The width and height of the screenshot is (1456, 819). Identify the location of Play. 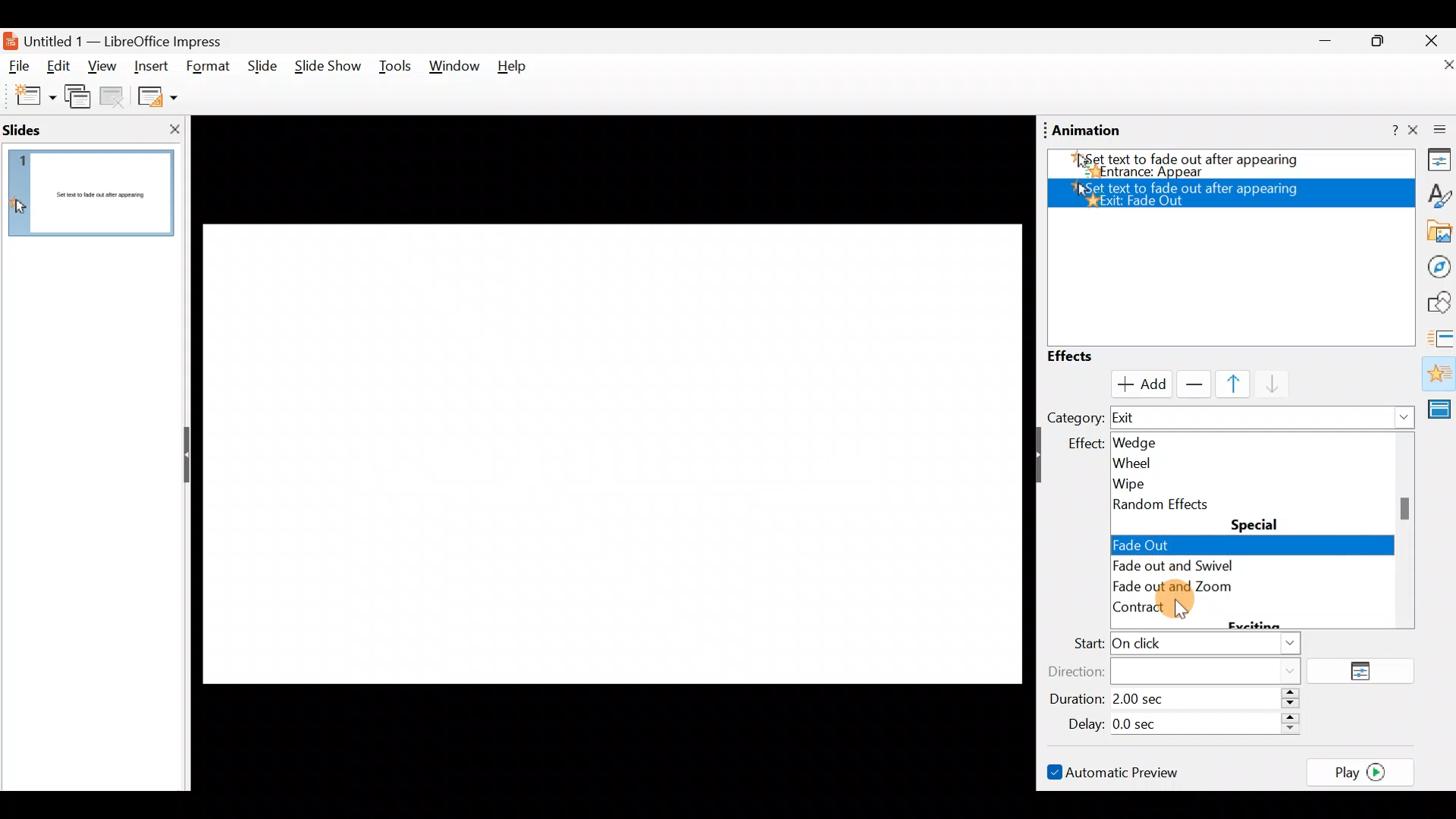
(1365, 771).